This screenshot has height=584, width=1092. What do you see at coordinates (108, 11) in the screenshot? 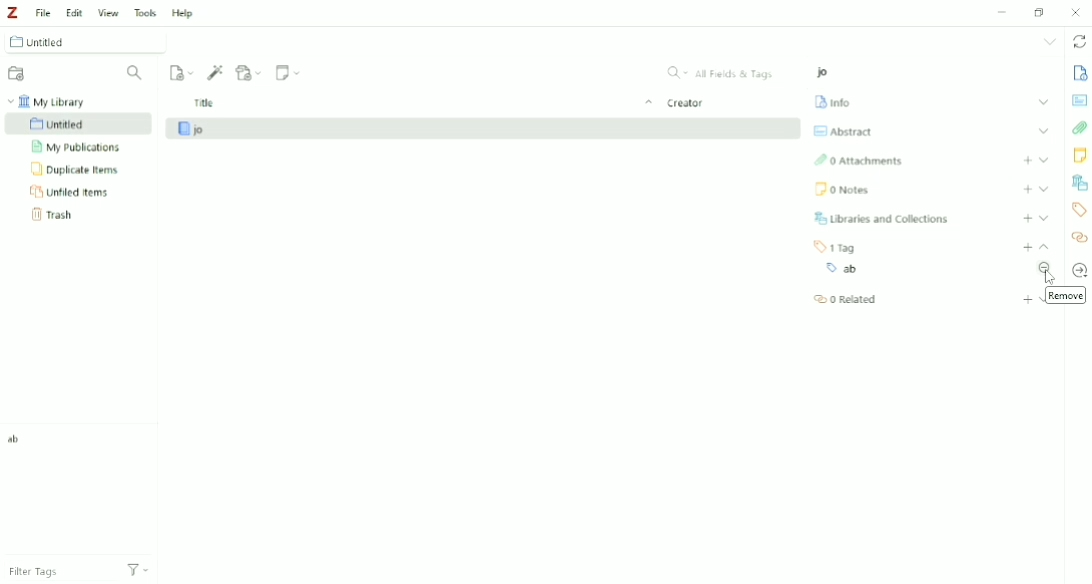
I see `View` at bounding box center [108, 11].